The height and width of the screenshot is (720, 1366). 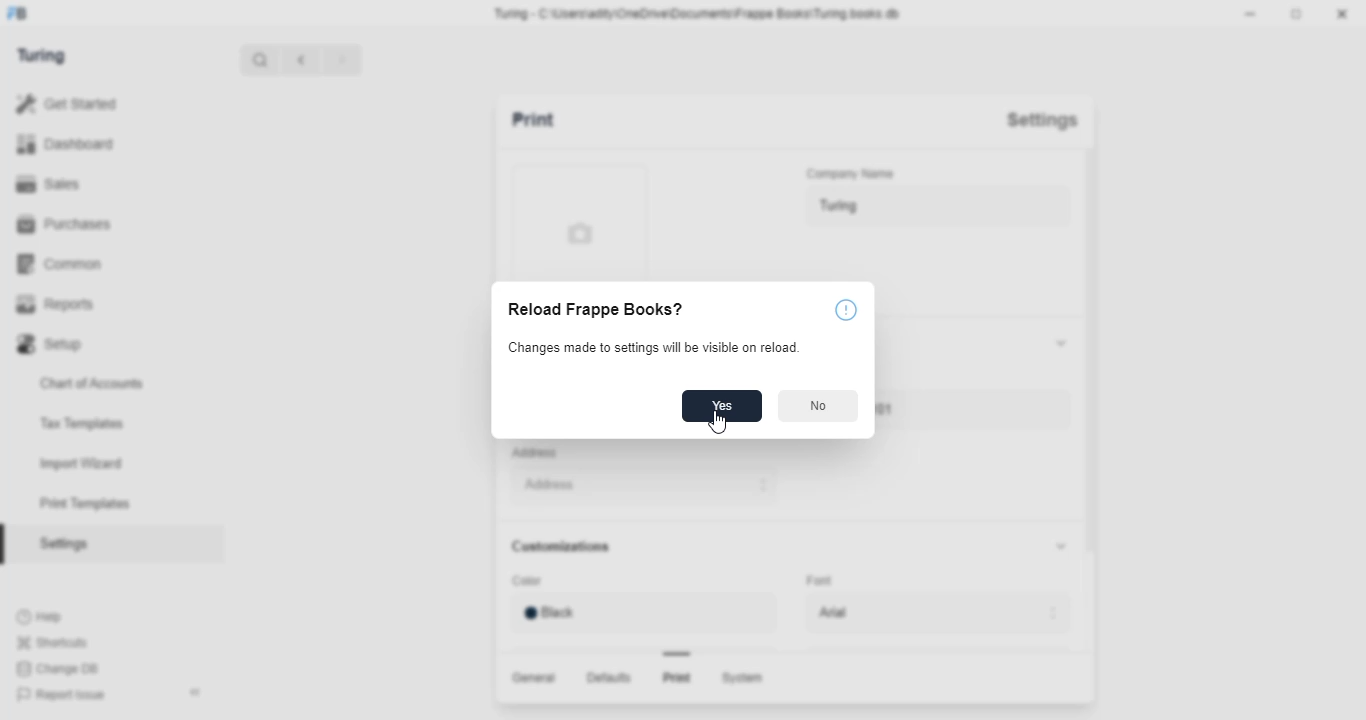 What do you see at coordinates (108, 262) in the screenshot?
I see `Common` at bounding box center [108, 262].